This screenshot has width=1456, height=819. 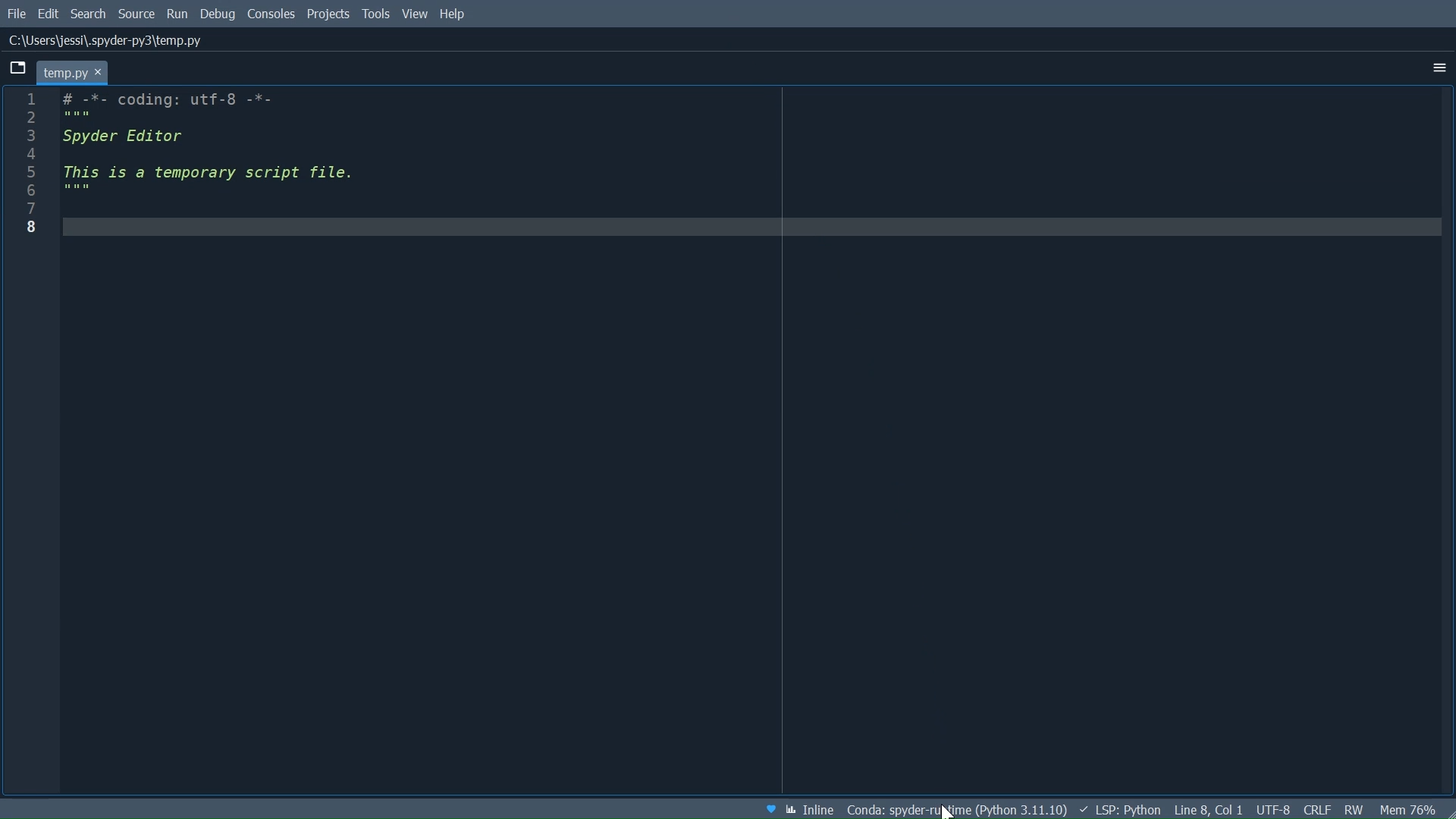 What do you see at coordinates (1354, 810) in the screenshot?
I see `File Permissions` at bounding box center [1354, 810].